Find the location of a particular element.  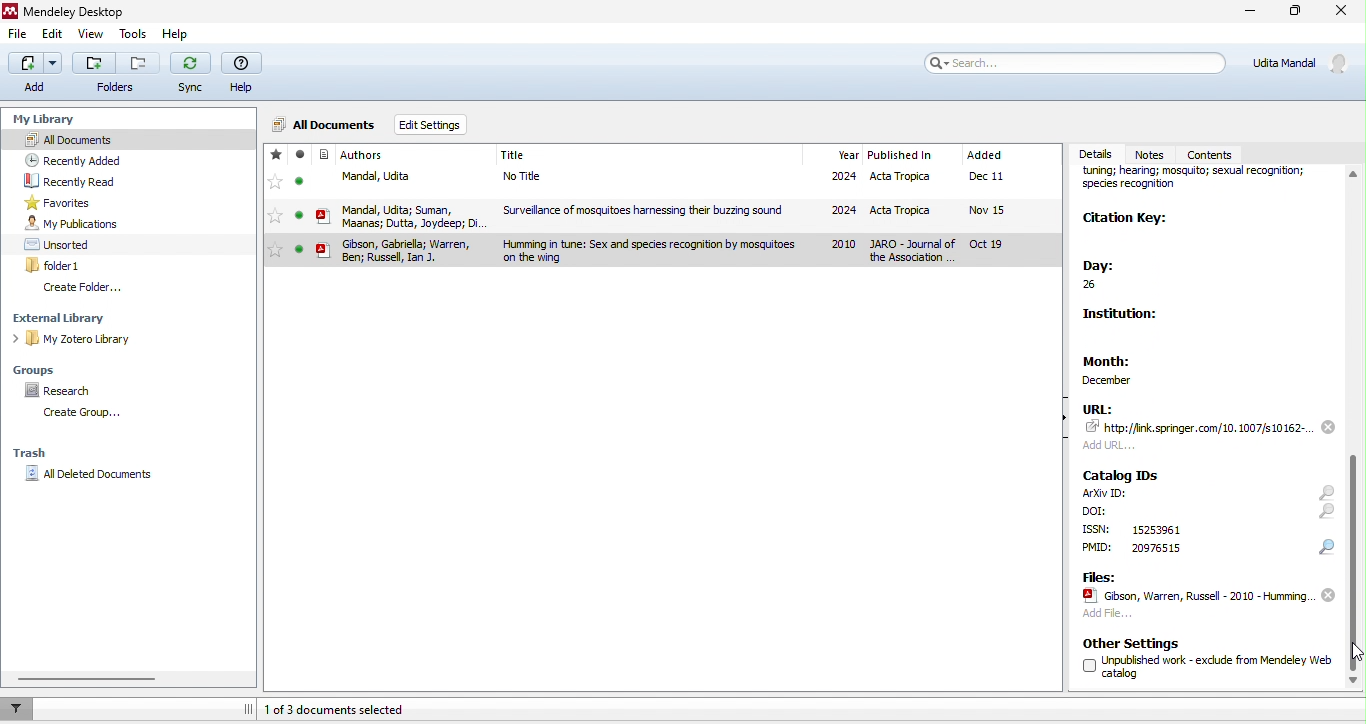

institution is located at coordinates (1127, 318).